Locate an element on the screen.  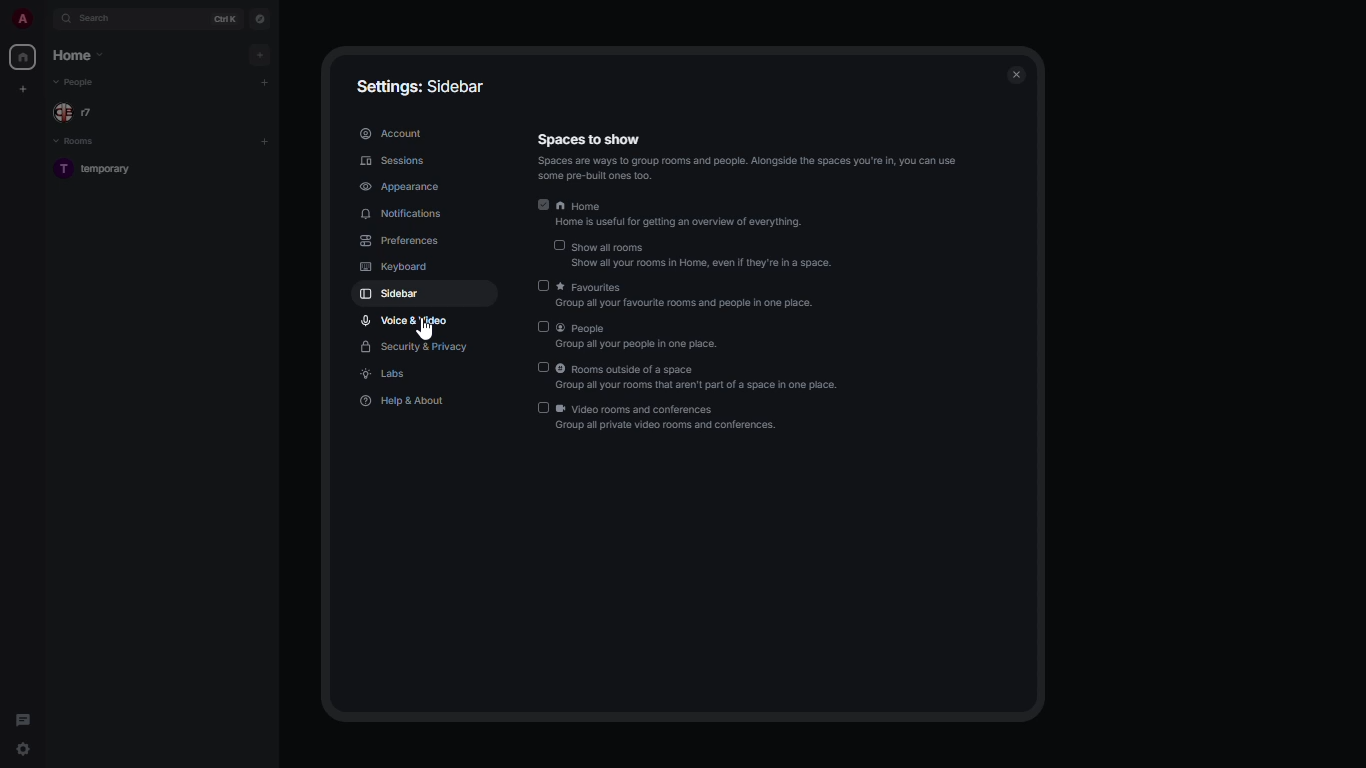
sessions is located at coordinates (394, 161).